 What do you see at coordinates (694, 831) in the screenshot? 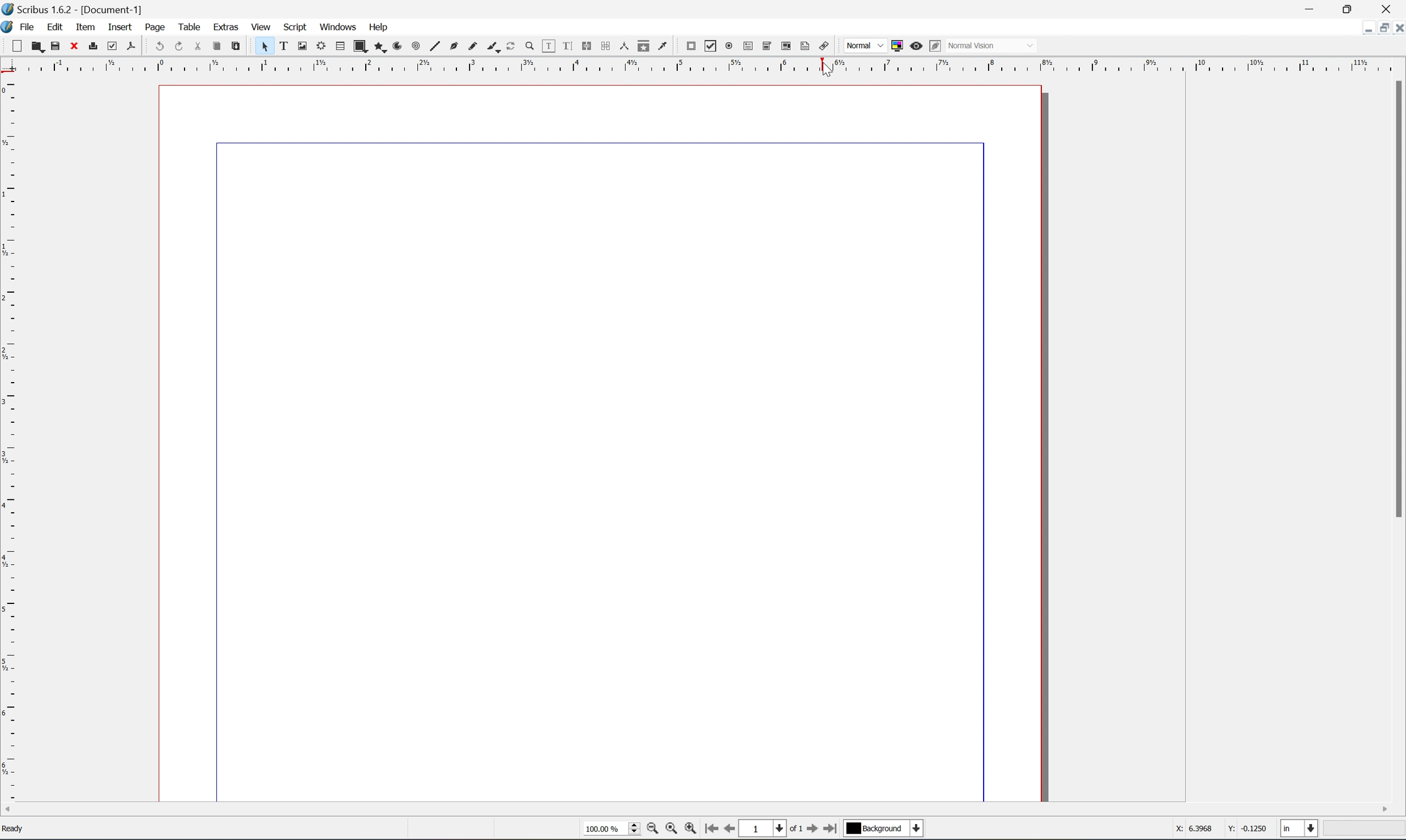
I see `zoom in` at bounding box center [694, 831].